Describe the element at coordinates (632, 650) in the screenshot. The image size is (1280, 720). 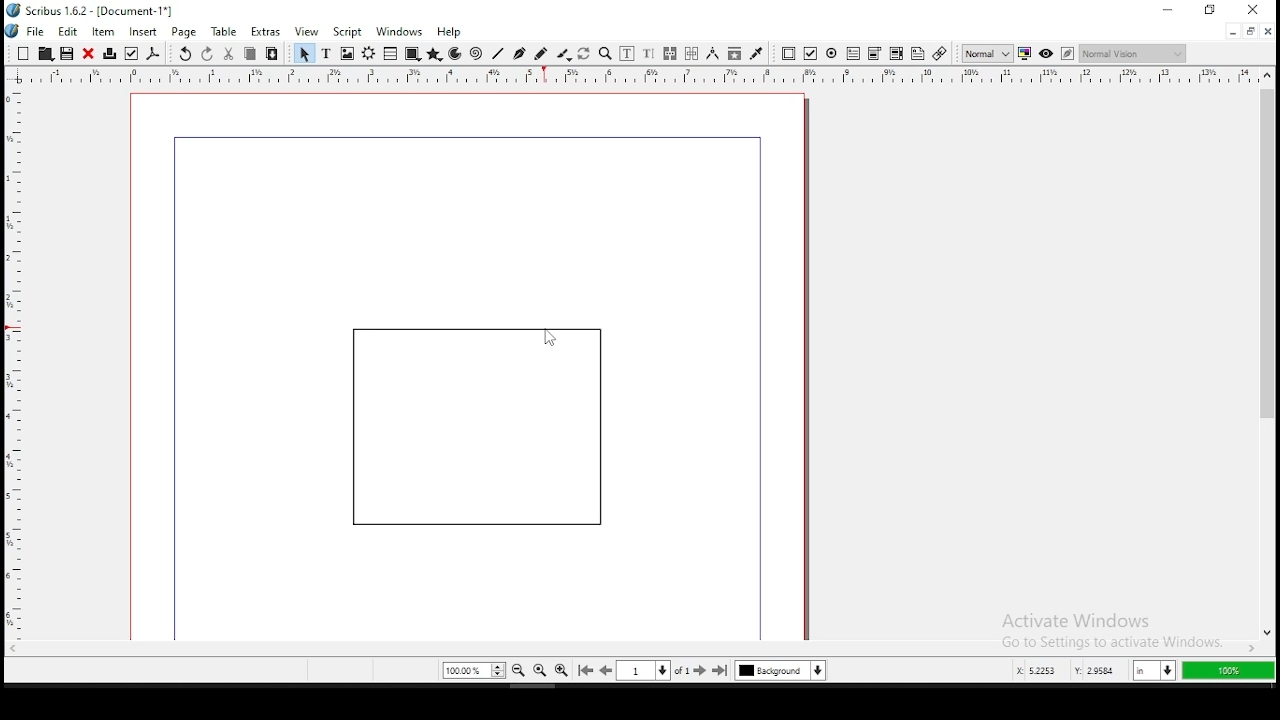
I see `scroll bar` at that location.